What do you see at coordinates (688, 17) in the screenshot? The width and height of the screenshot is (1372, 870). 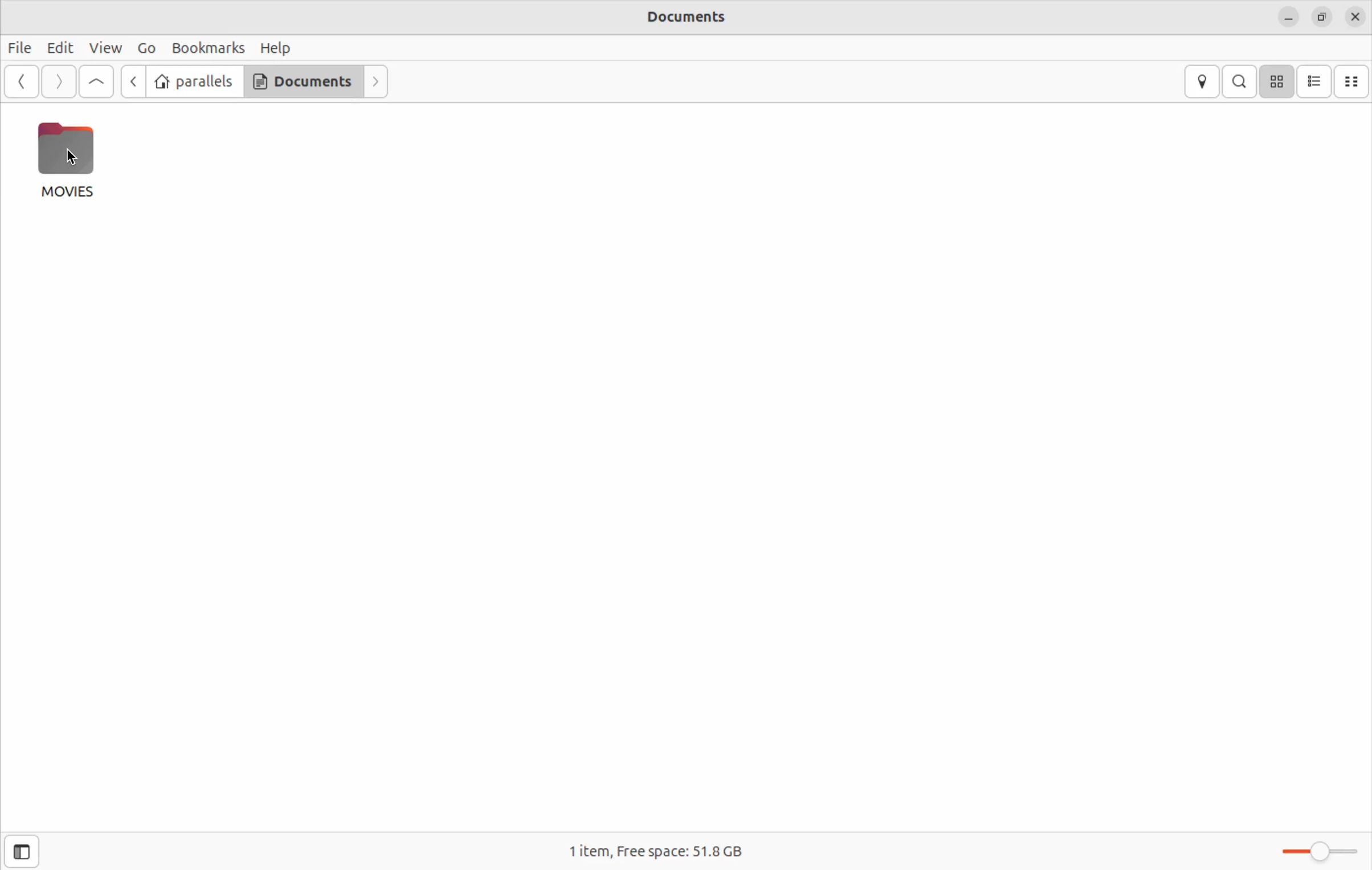 I see `documents` at bounding box center [688, 17].